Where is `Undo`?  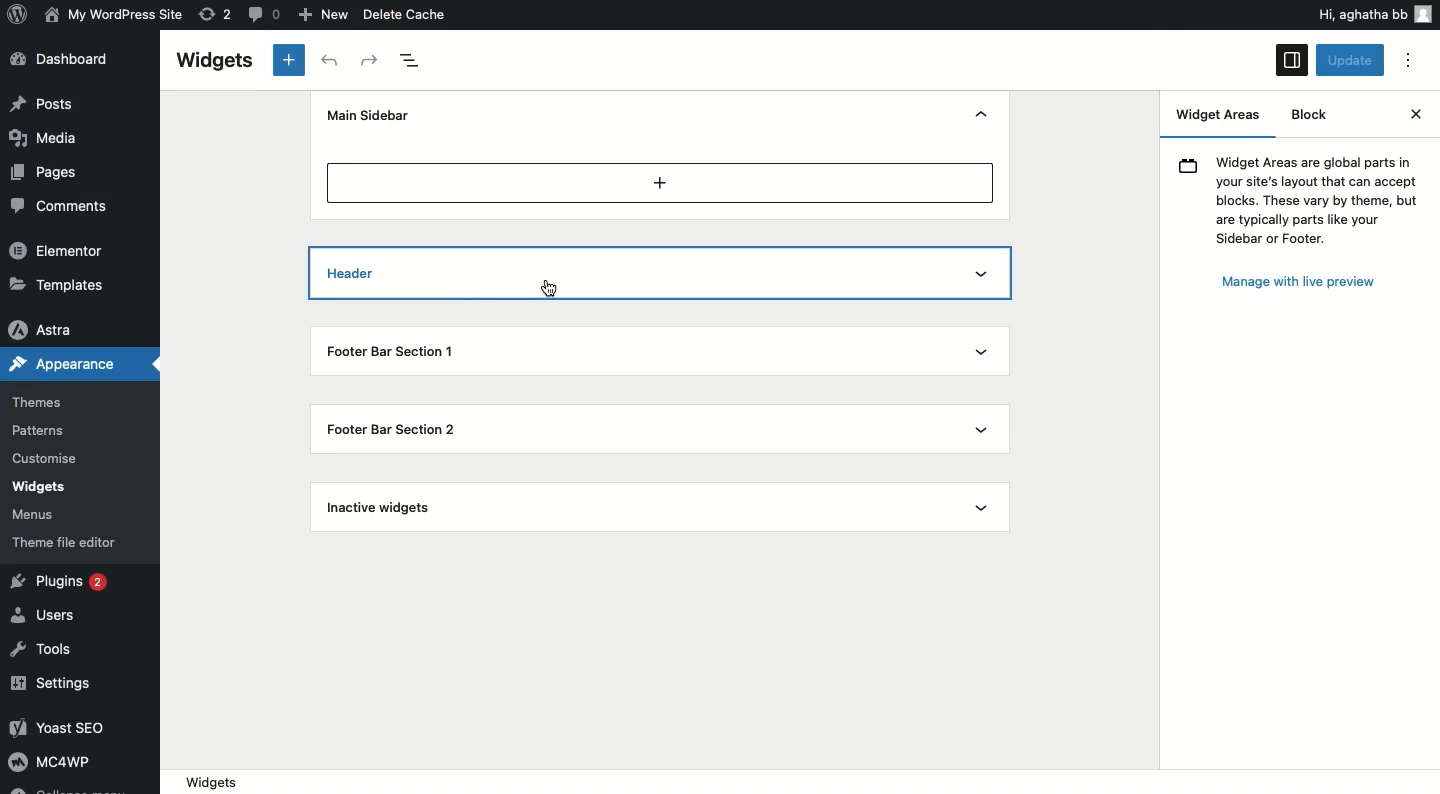 Undo is located at coordinates (333, 61).